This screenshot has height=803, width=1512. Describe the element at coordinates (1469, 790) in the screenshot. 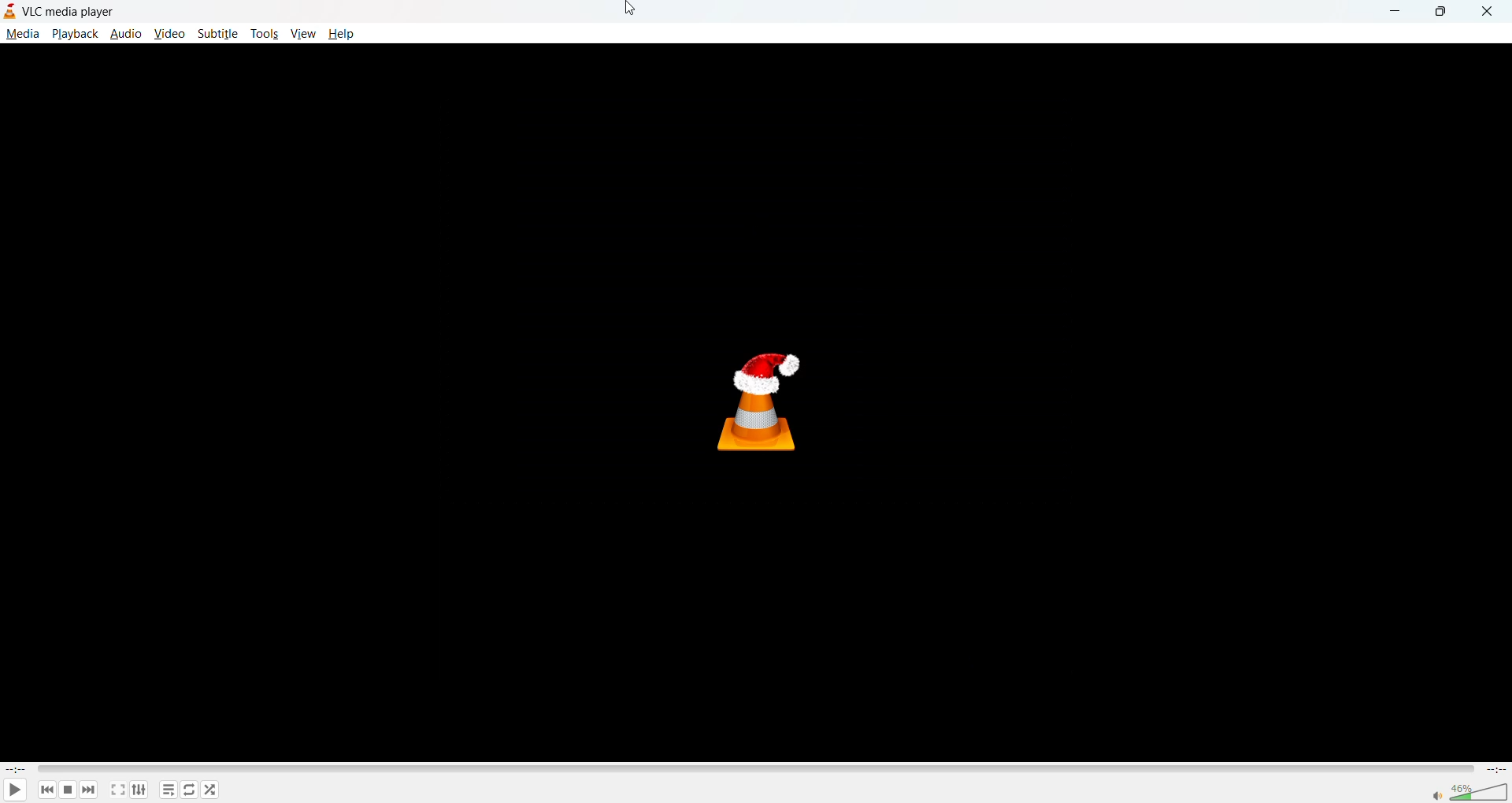

I see `volume` at that location.